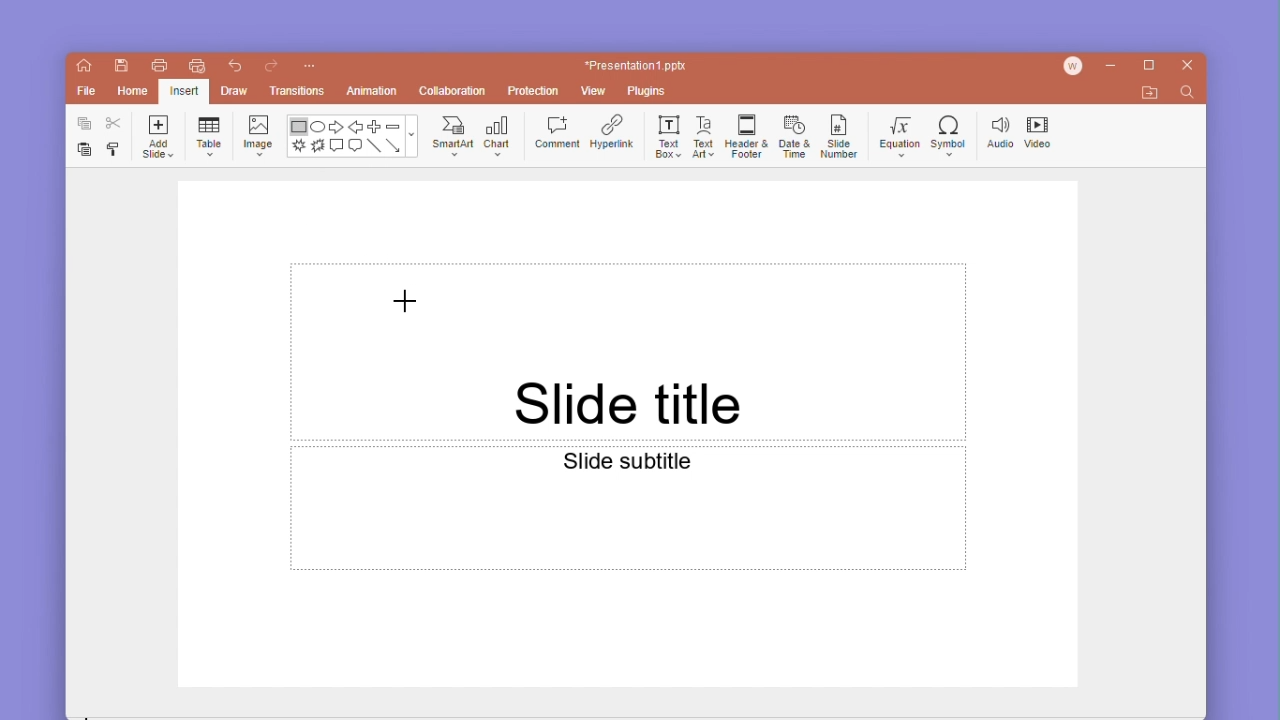 Image resolution: width=1280 pixels, height=720 pixels. I want to click on view, so click(596, 91).